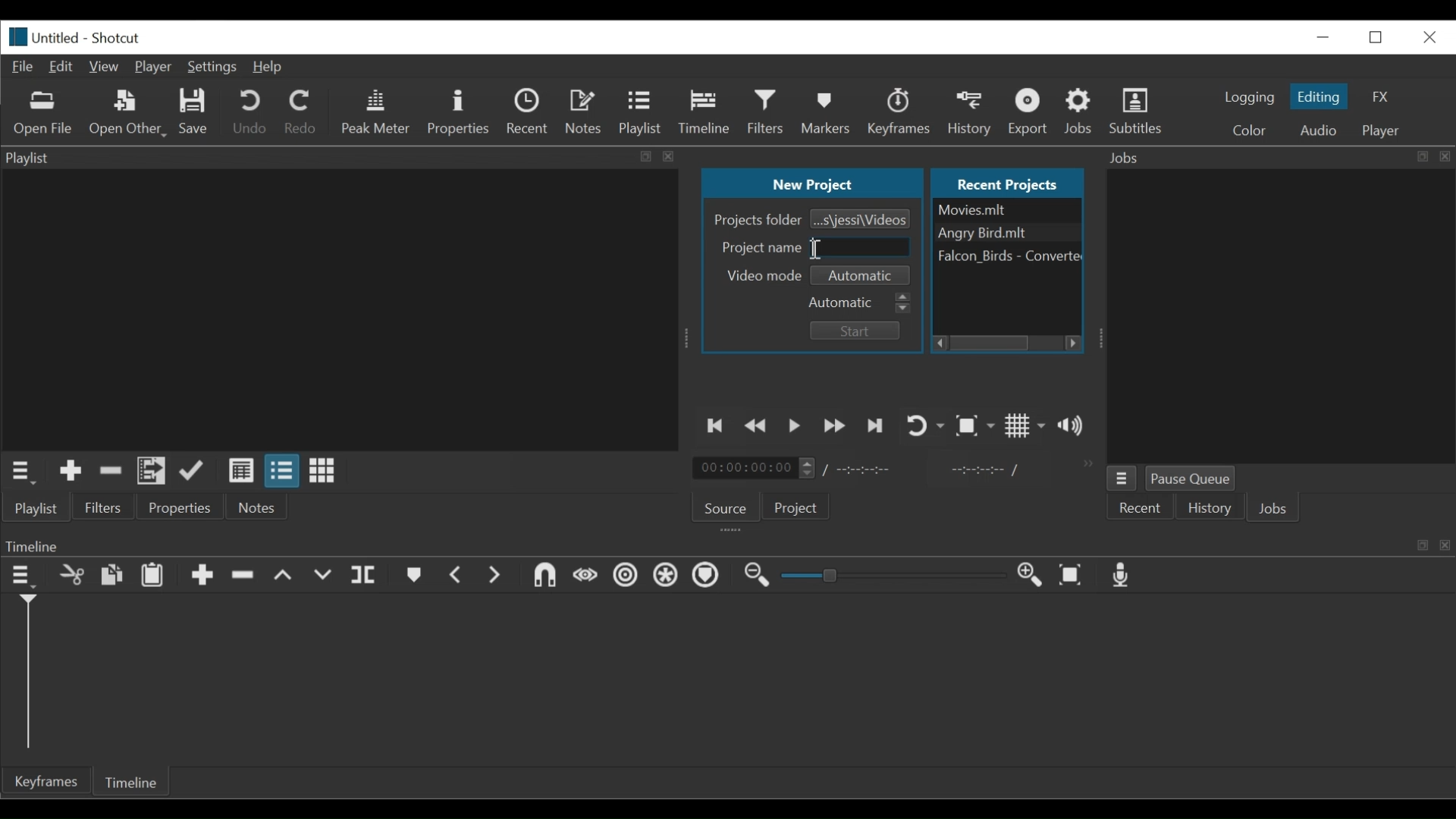 The height and width of the screenshot is (819, 1456). What do you see at coordinates (281, 471) in the screenshot?
I see `View as files` at bounding box center [281, 471].